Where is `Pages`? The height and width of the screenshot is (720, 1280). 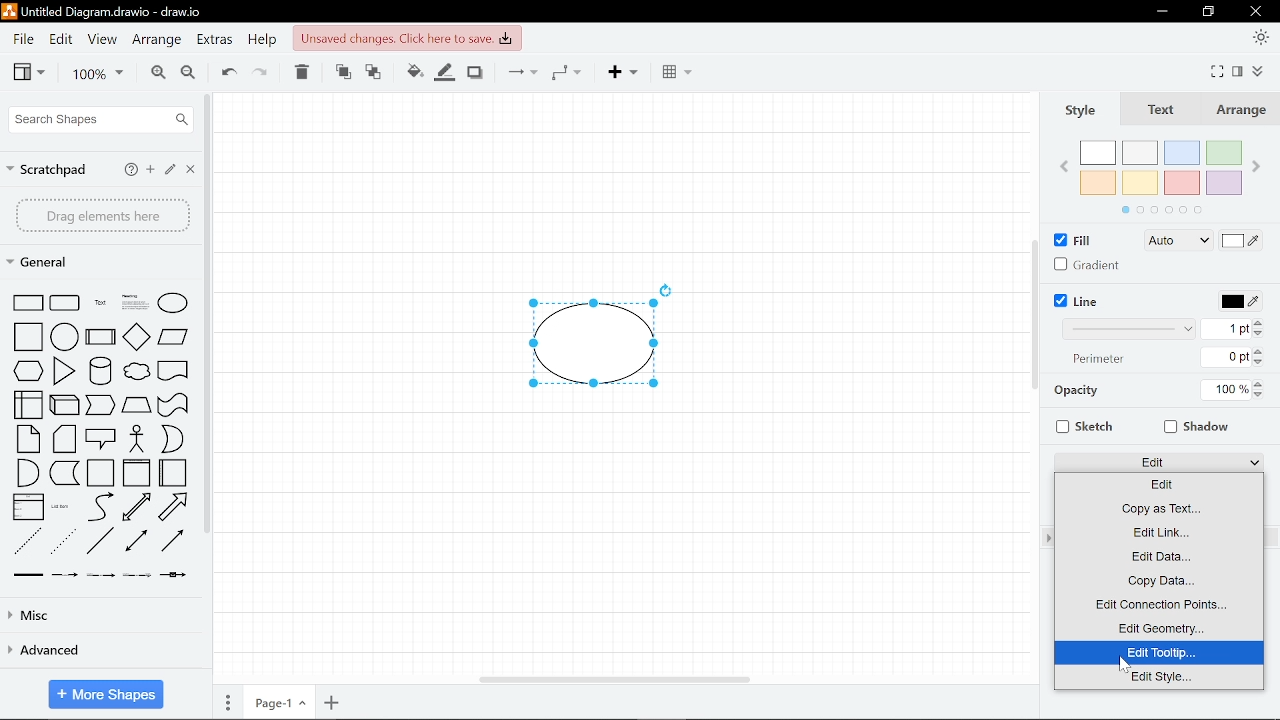 Pages is located at coordinates (226, 703).